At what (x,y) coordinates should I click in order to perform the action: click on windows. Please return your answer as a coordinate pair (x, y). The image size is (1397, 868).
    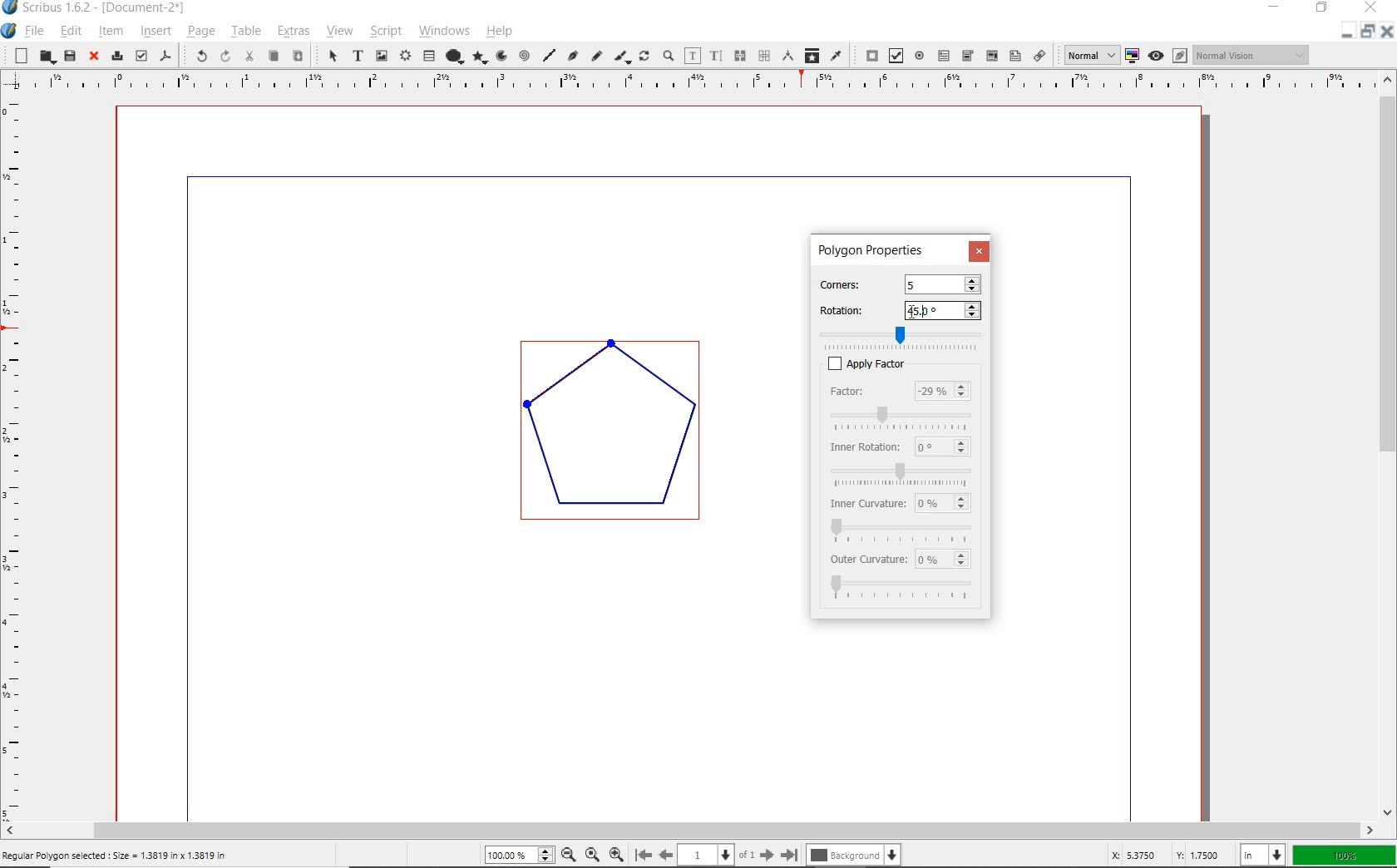
    Looking at the image, I should click on (445, 32).